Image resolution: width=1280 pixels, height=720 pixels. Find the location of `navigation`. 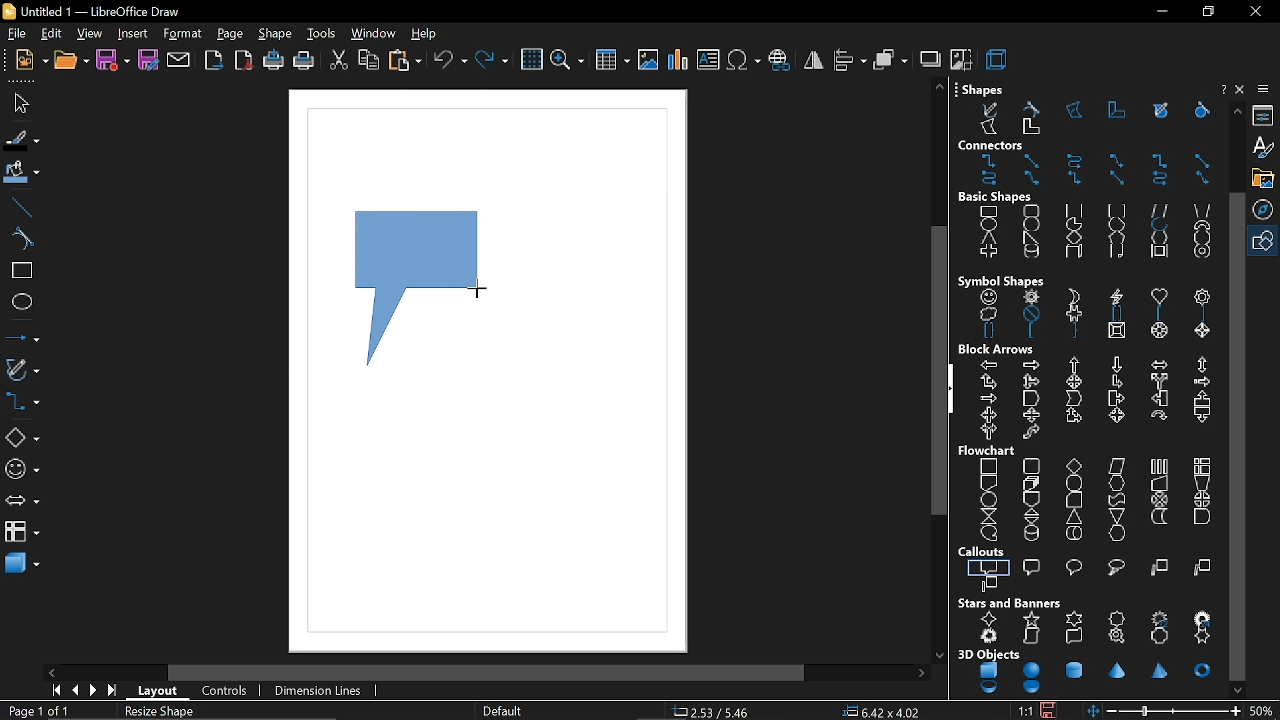

navigation is located at coordinates (1266, 208).